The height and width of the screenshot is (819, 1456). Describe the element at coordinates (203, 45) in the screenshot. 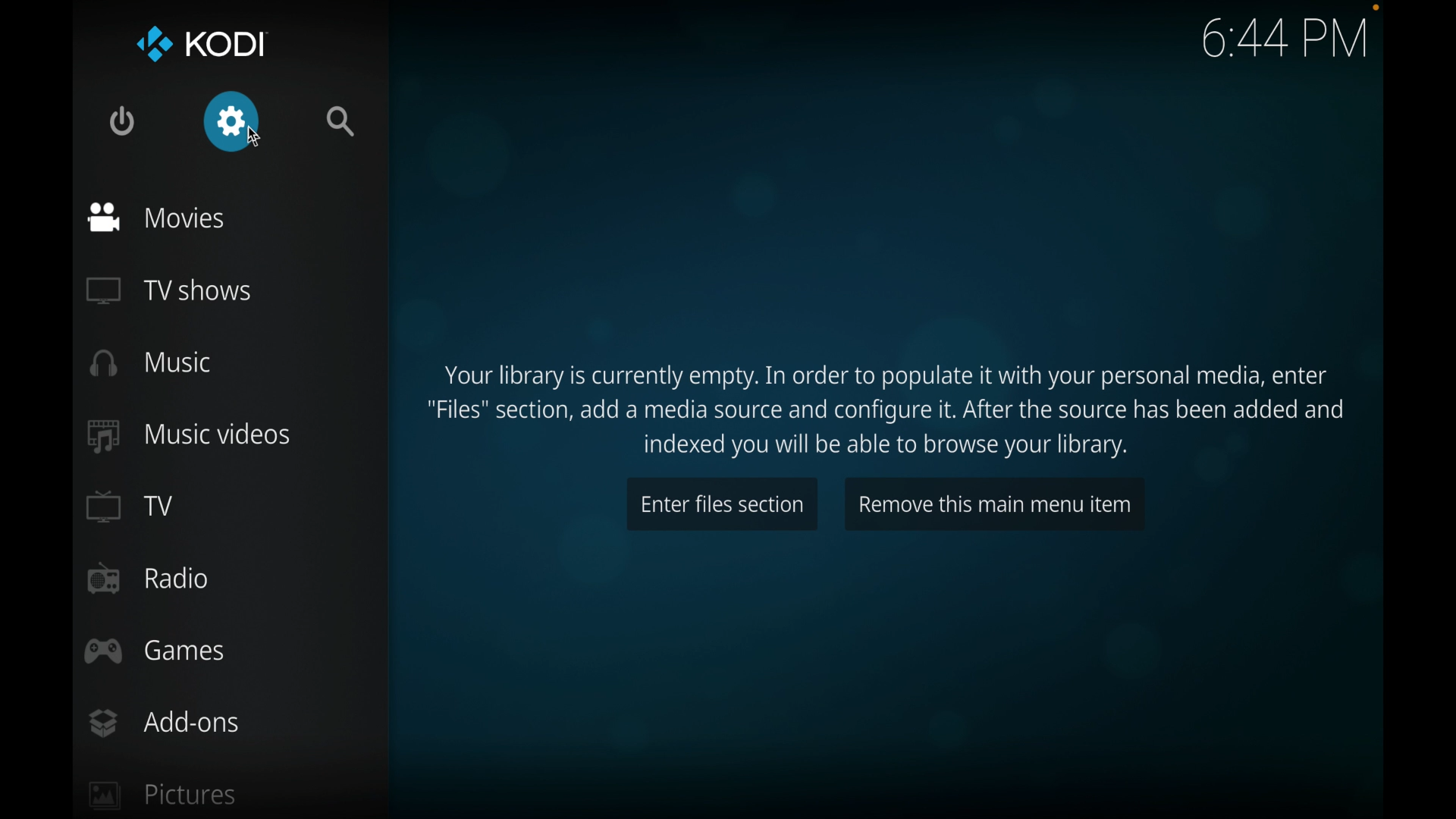

I see `kodi` at that location.